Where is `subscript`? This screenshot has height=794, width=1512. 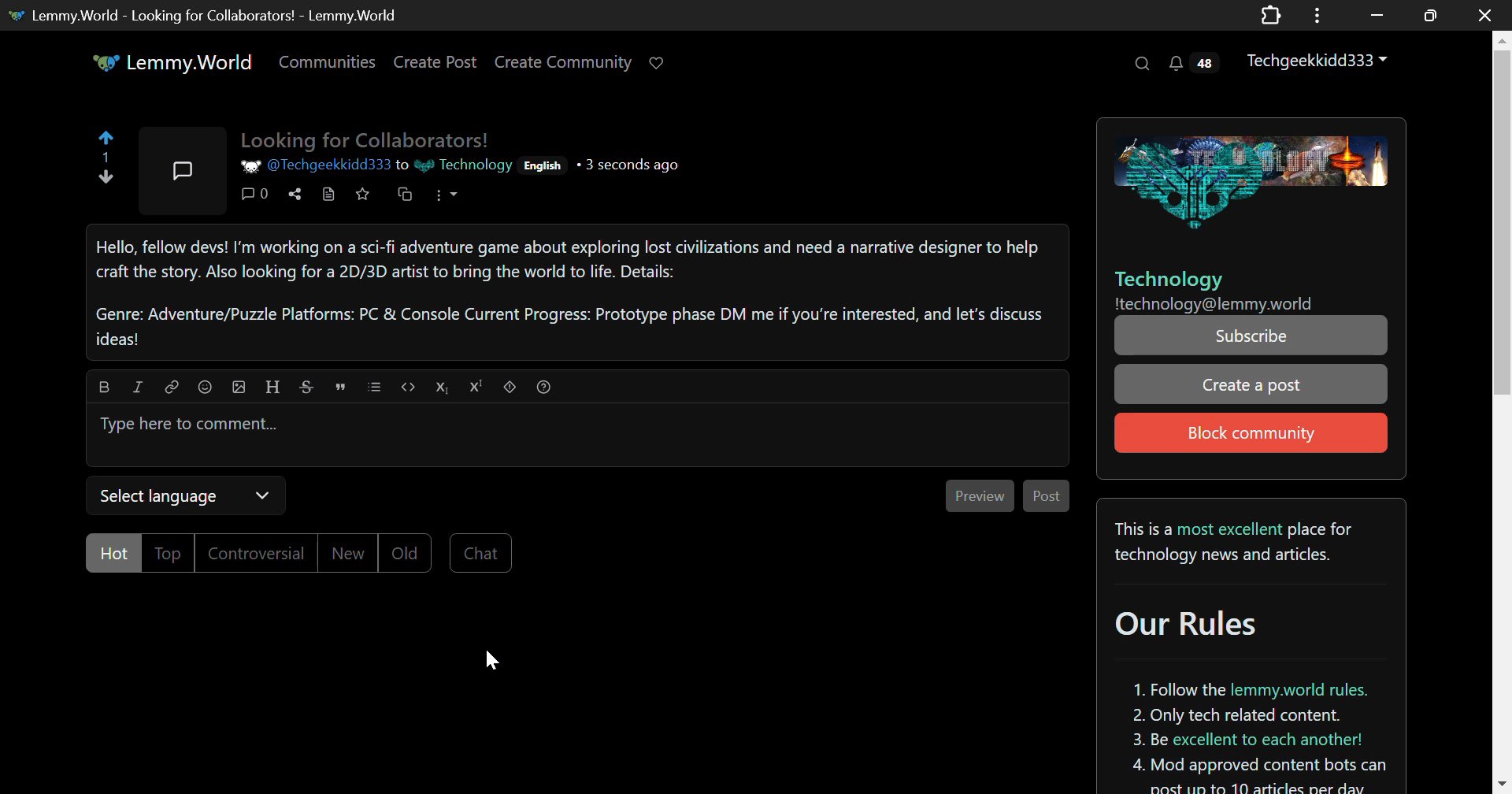
subscript is located at coordinates (441, 385).